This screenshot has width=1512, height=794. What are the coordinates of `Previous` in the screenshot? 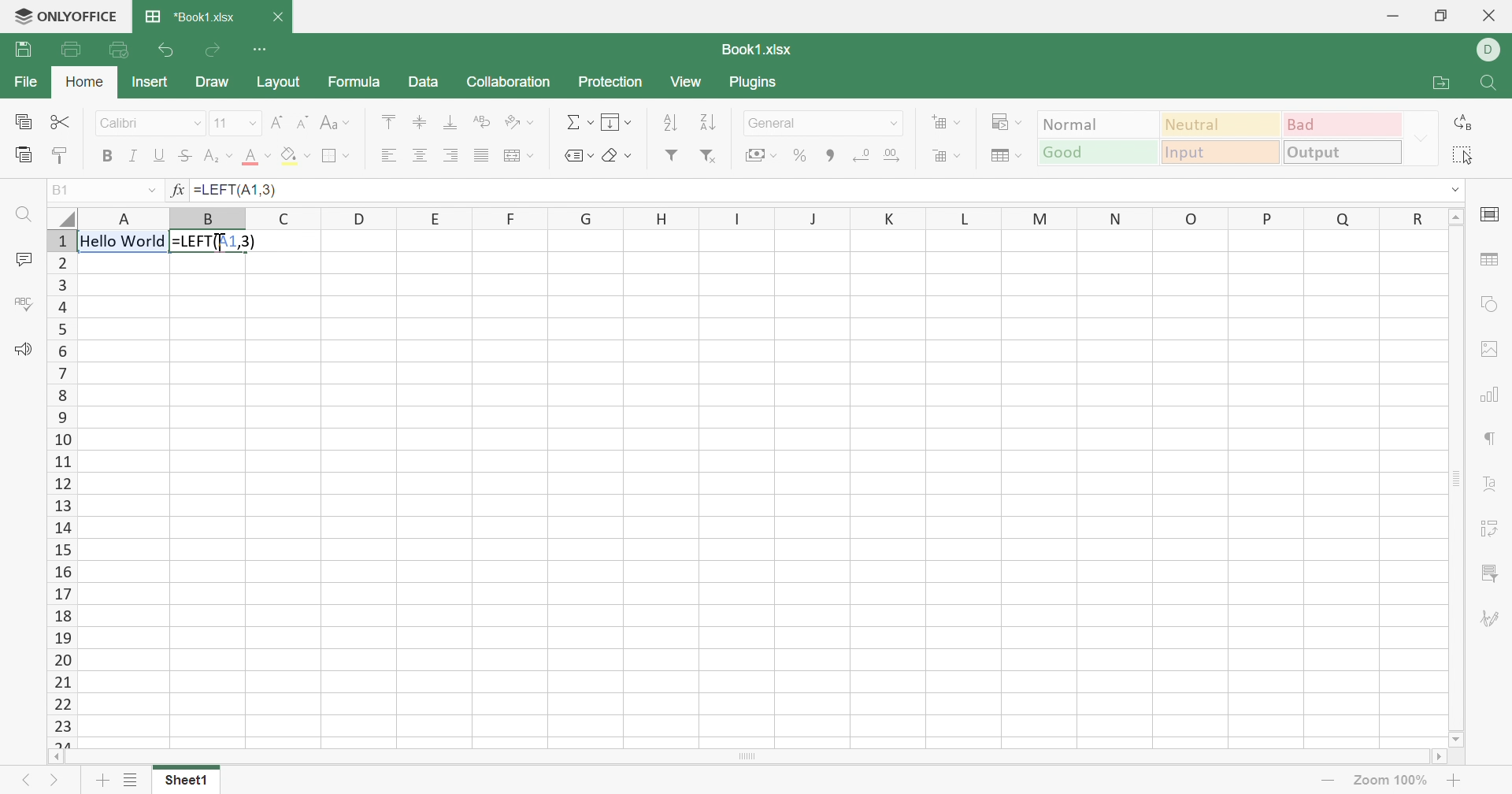 It's located at (28, 780).